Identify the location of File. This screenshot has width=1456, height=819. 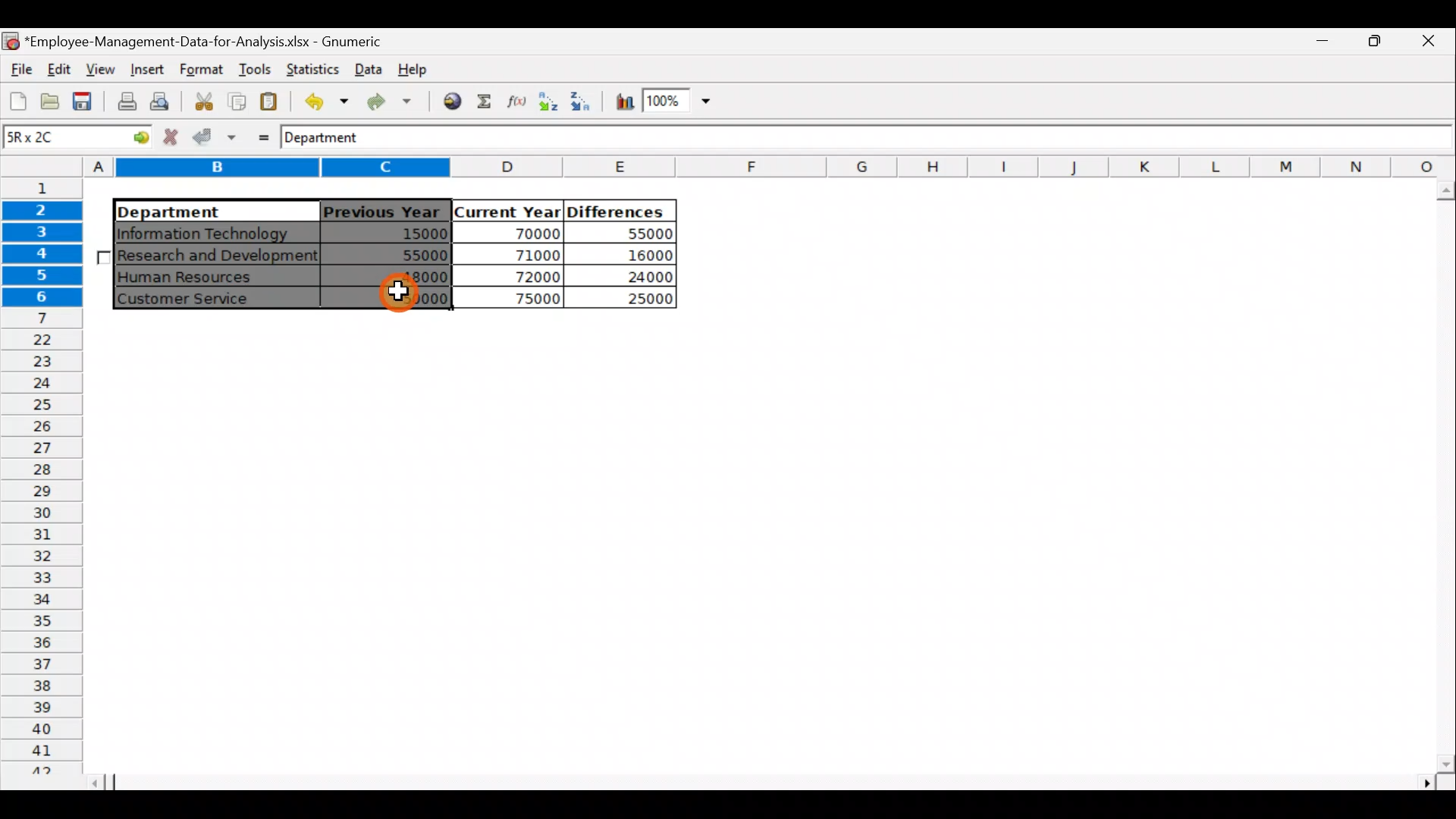
(19, 65).